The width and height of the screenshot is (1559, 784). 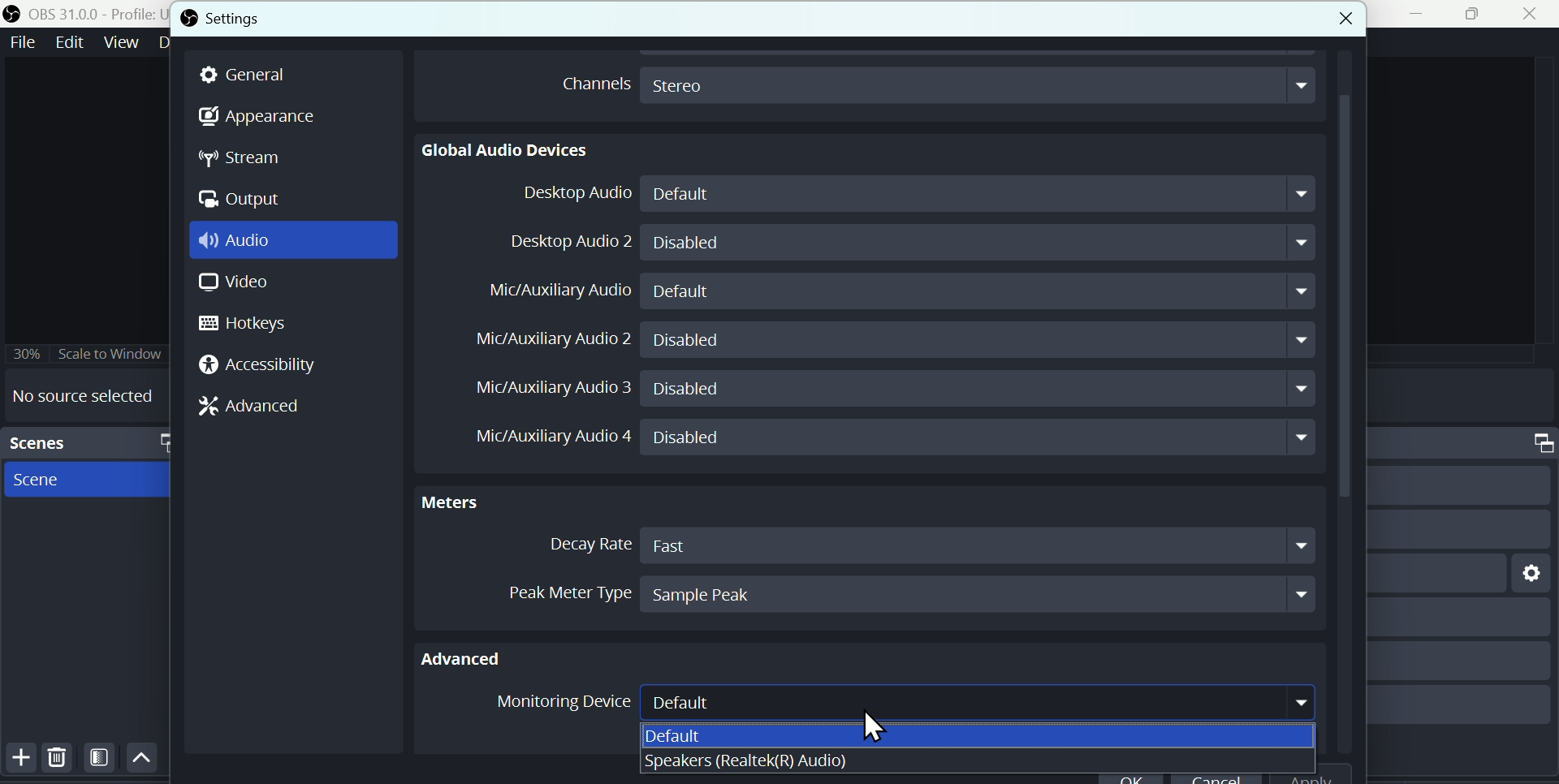 I want to click on Advanced, so click(x=257, y=405).